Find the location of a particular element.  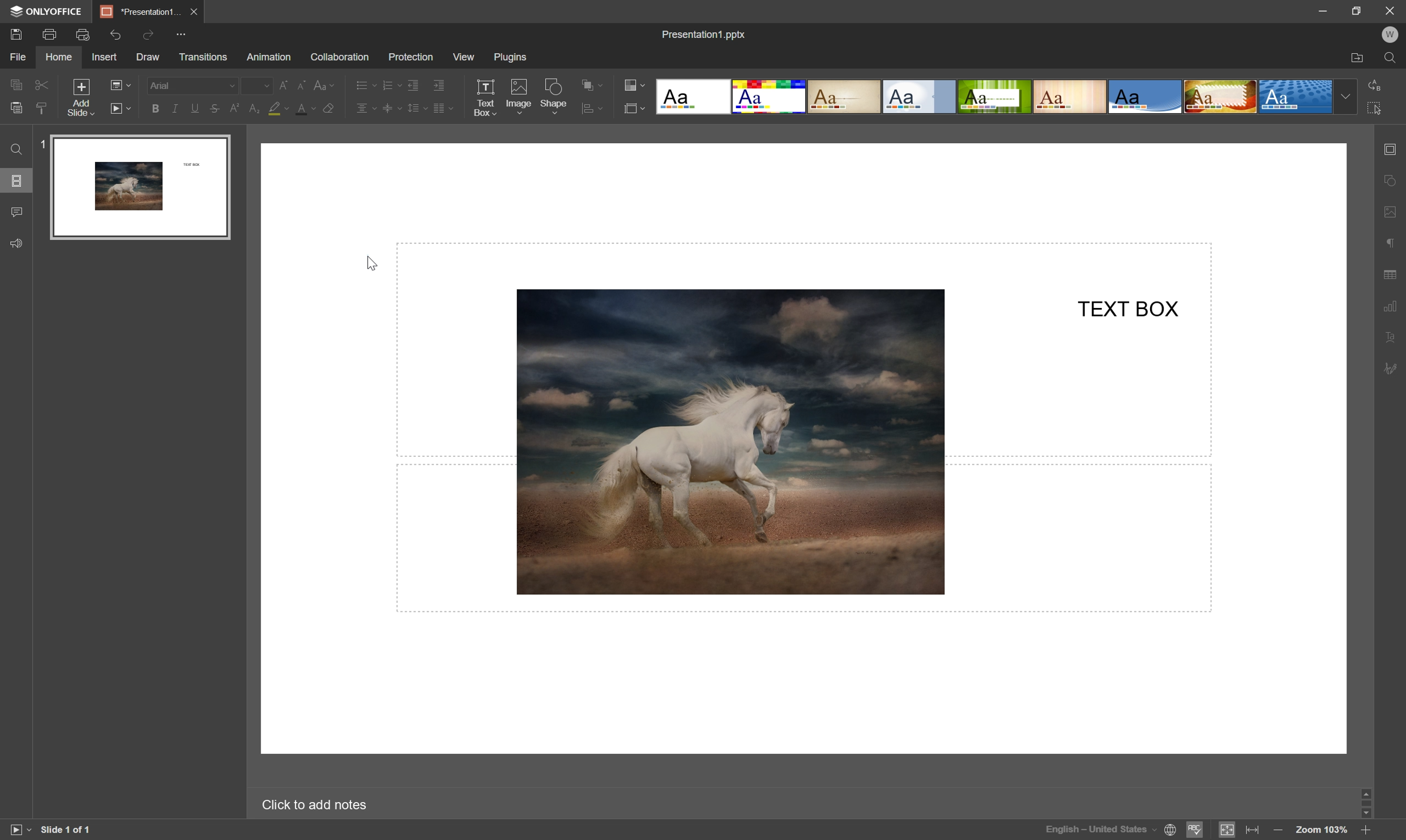

paste is located at coordinates (16, 108).